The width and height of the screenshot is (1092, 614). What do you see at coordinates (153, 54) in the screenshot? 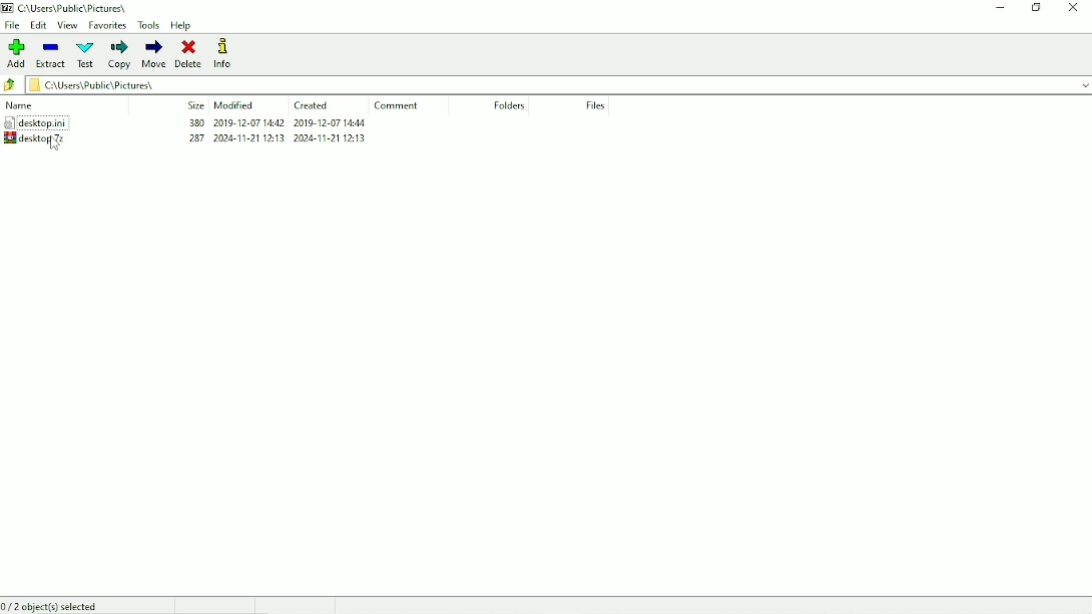
I see `Move` at bounding box center [153, 54].